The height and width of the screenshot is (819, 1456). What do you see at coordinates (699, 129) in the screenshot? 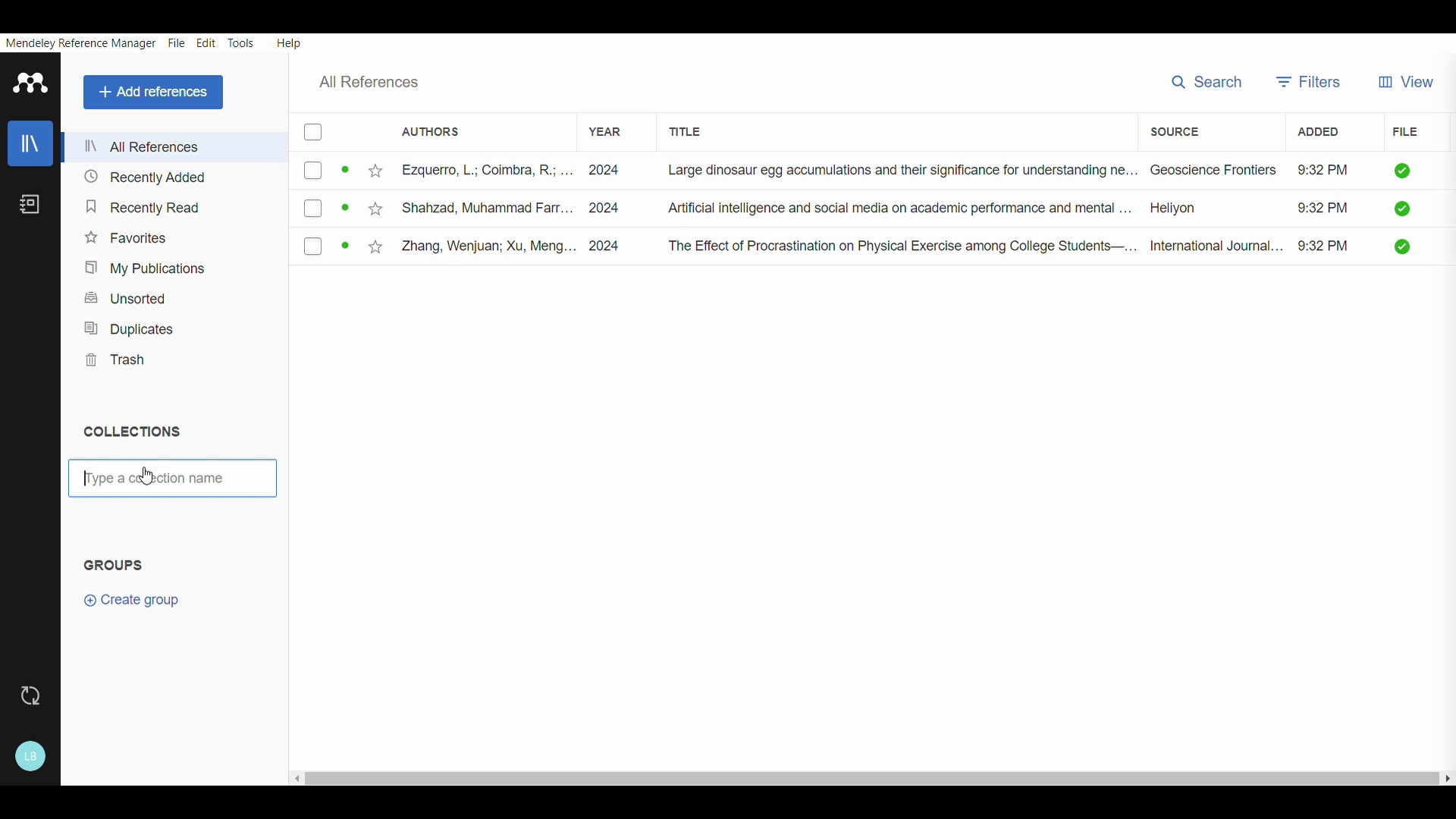
I see `TITLE` at bounding box center [699, 129].